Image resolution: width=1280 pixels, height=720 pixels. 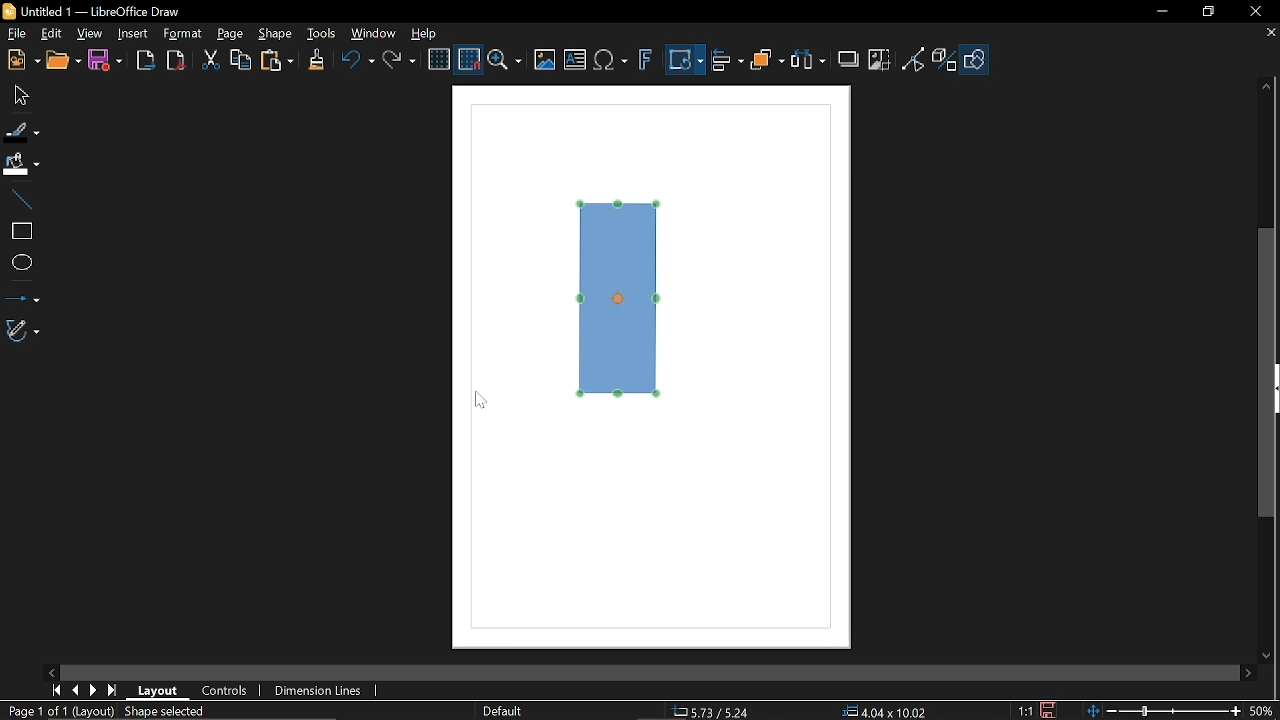 I want to click on restore down, so click(x=1206, y=13).